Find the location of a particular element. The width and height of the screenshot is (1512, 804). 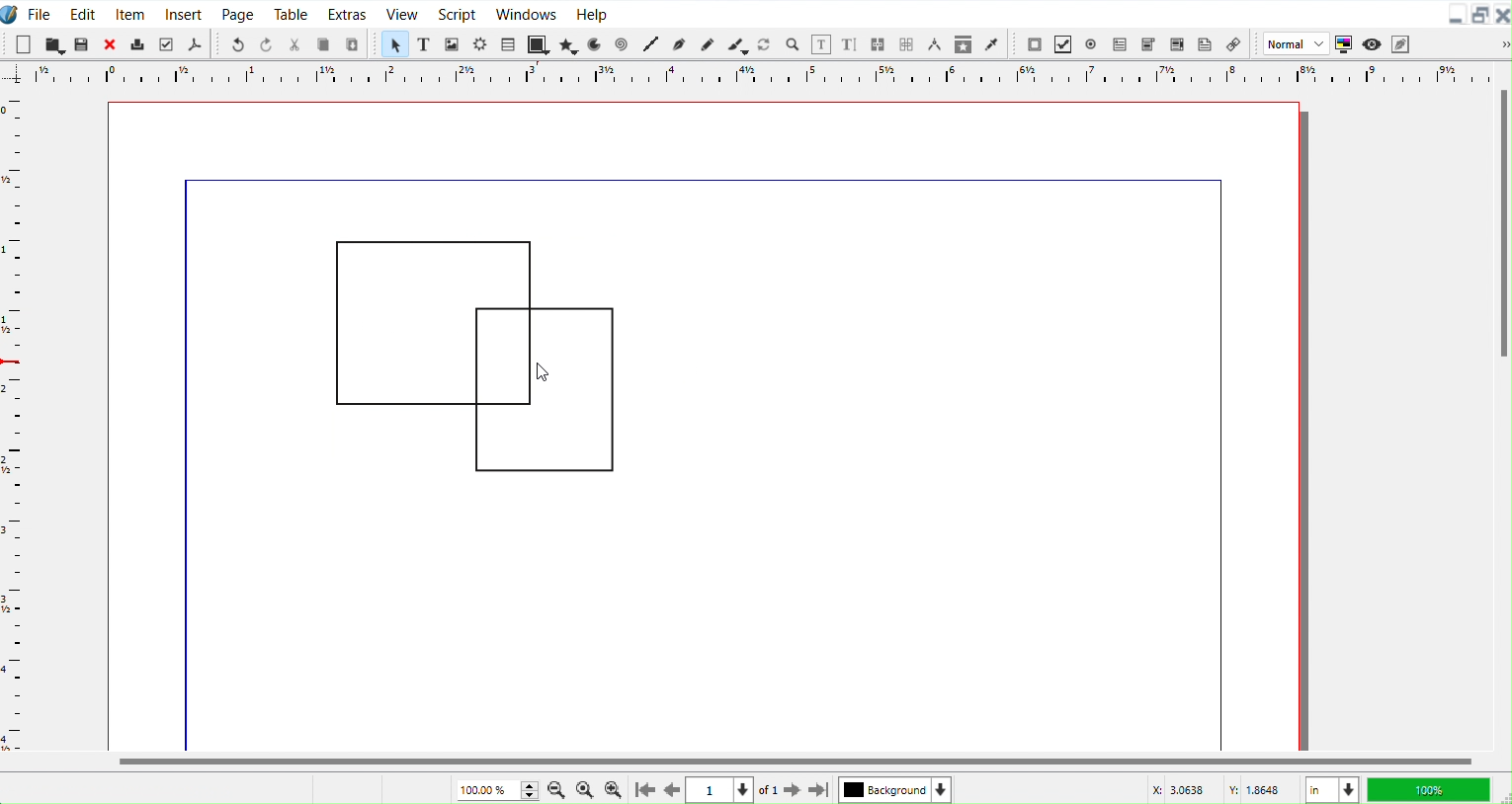

Drop down box is located at coordinates (1496, 43).